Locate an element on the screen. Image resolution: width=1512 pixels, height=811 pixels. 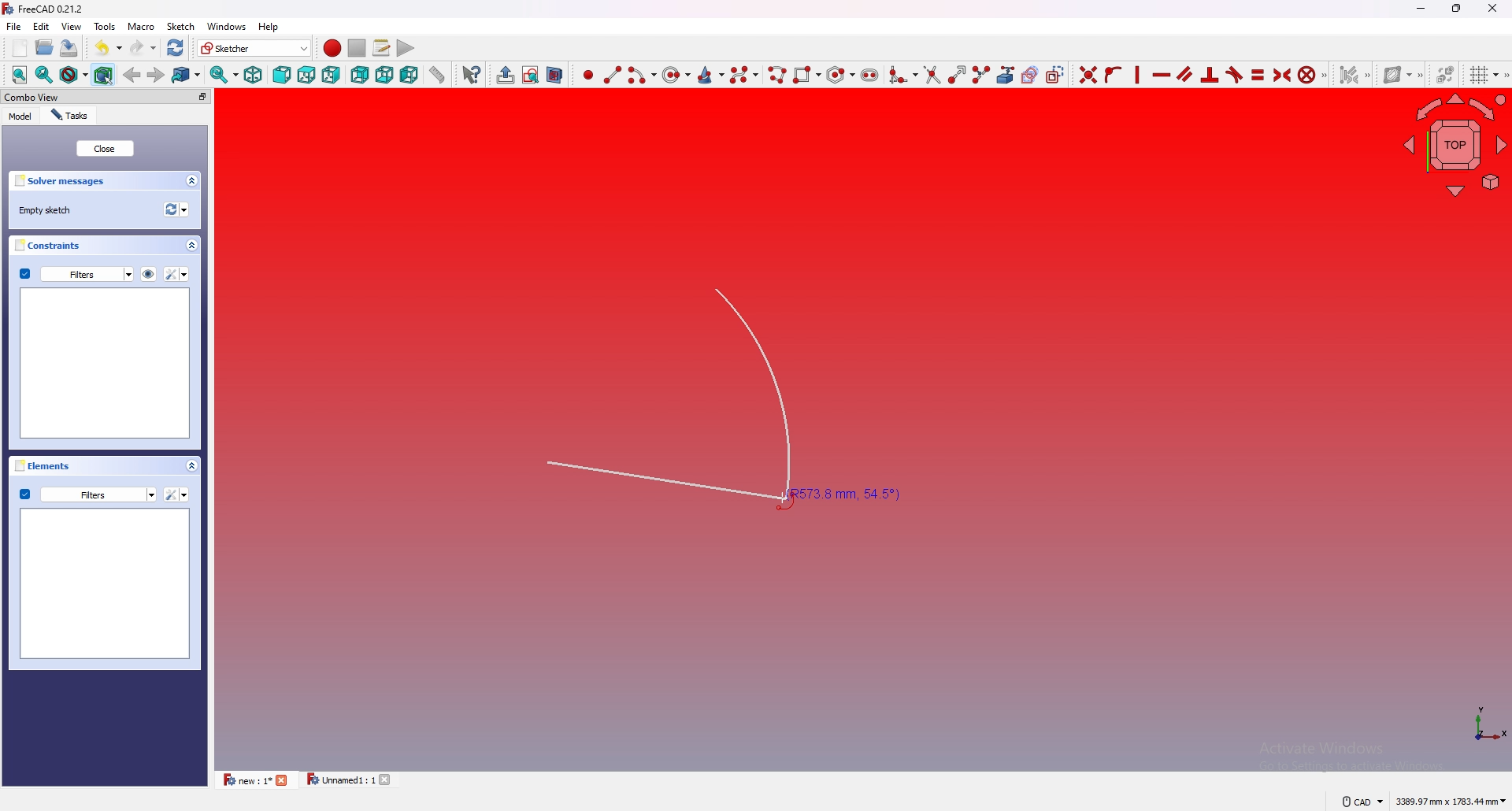
isometric is located at coordinates (253, 74).